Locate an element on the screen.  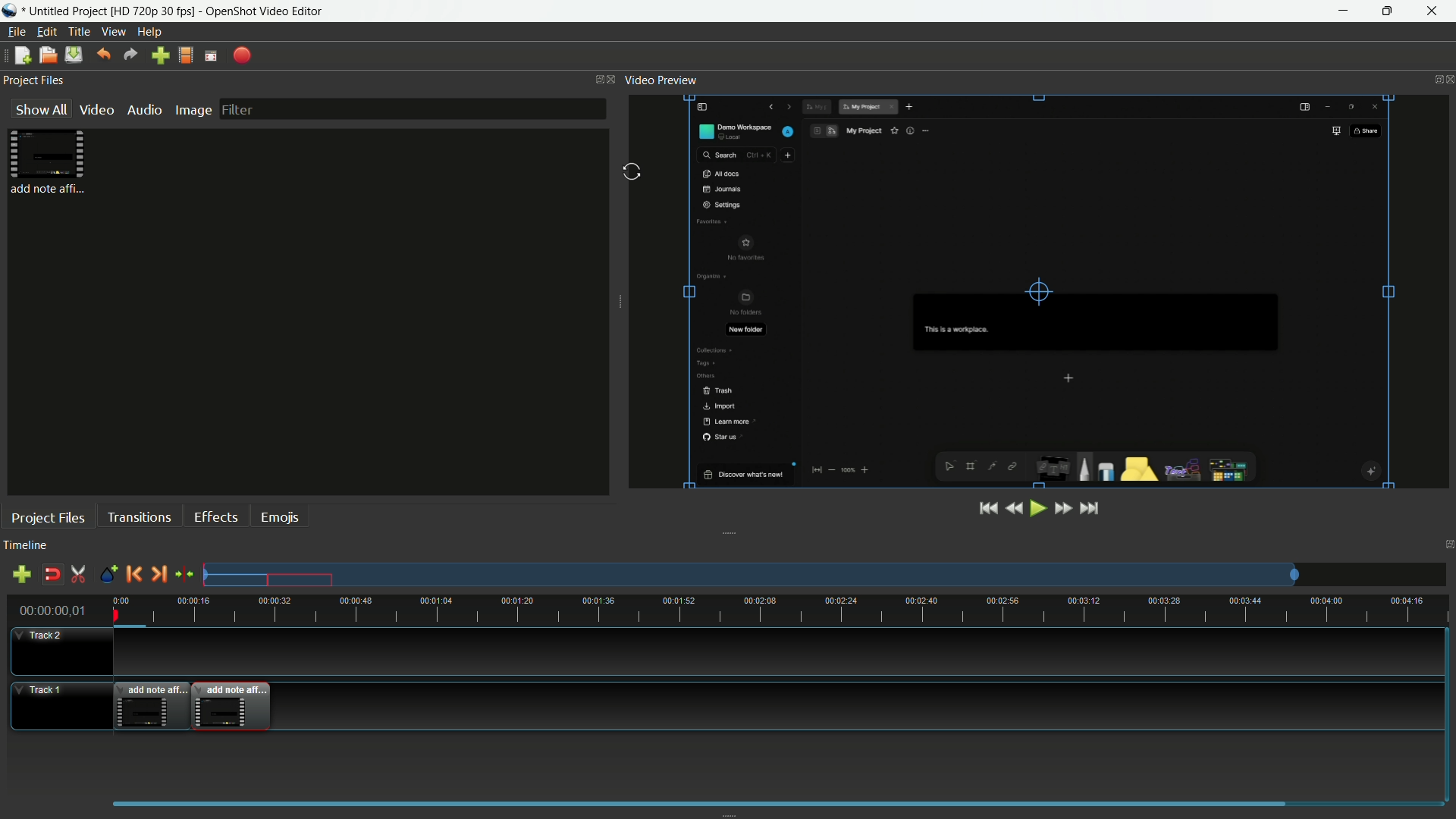
disable snap is located at coordinates (50, 574).